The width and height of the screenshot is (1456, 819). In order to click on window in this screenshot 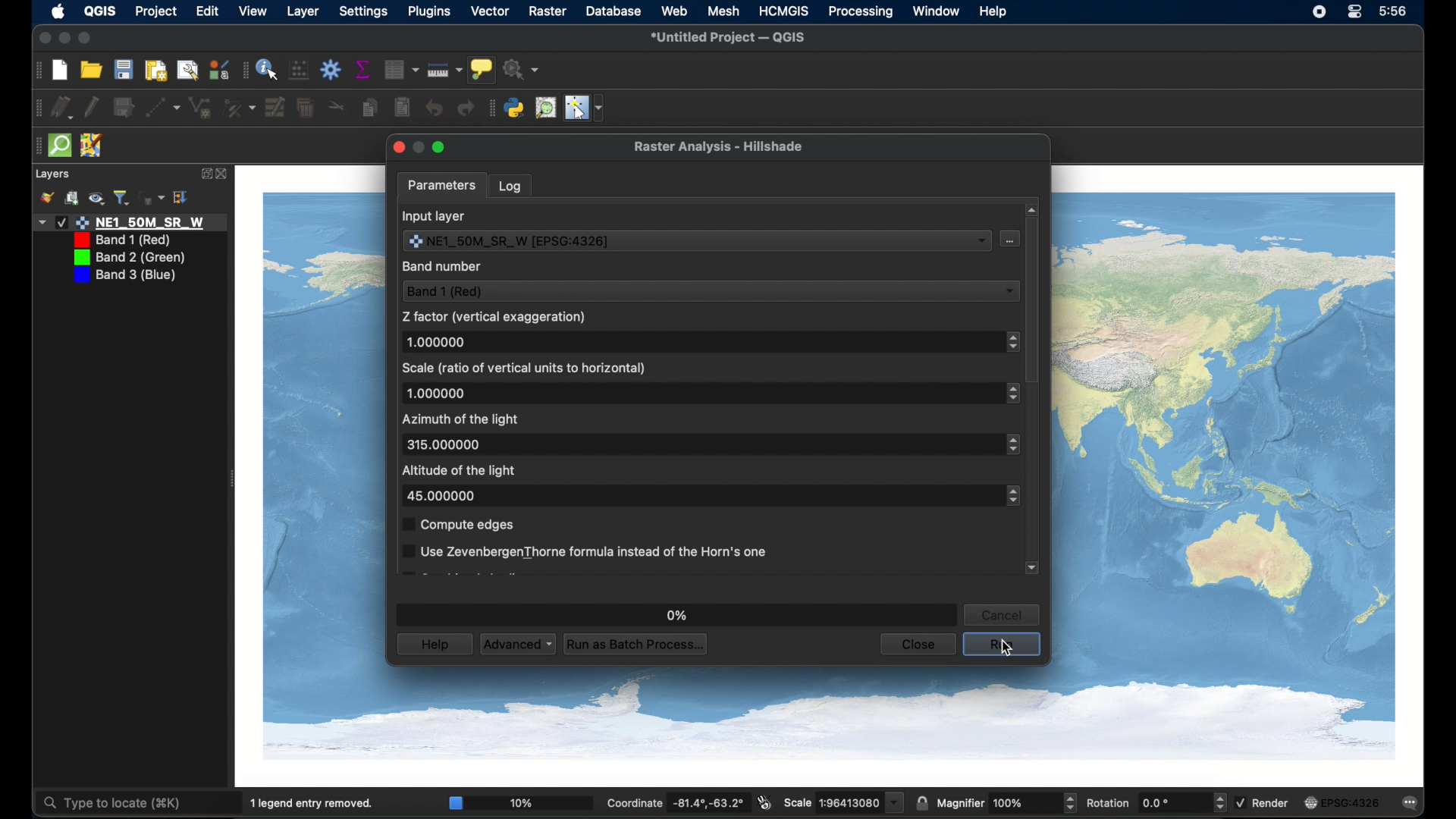, I will do `click(937, 12)`.